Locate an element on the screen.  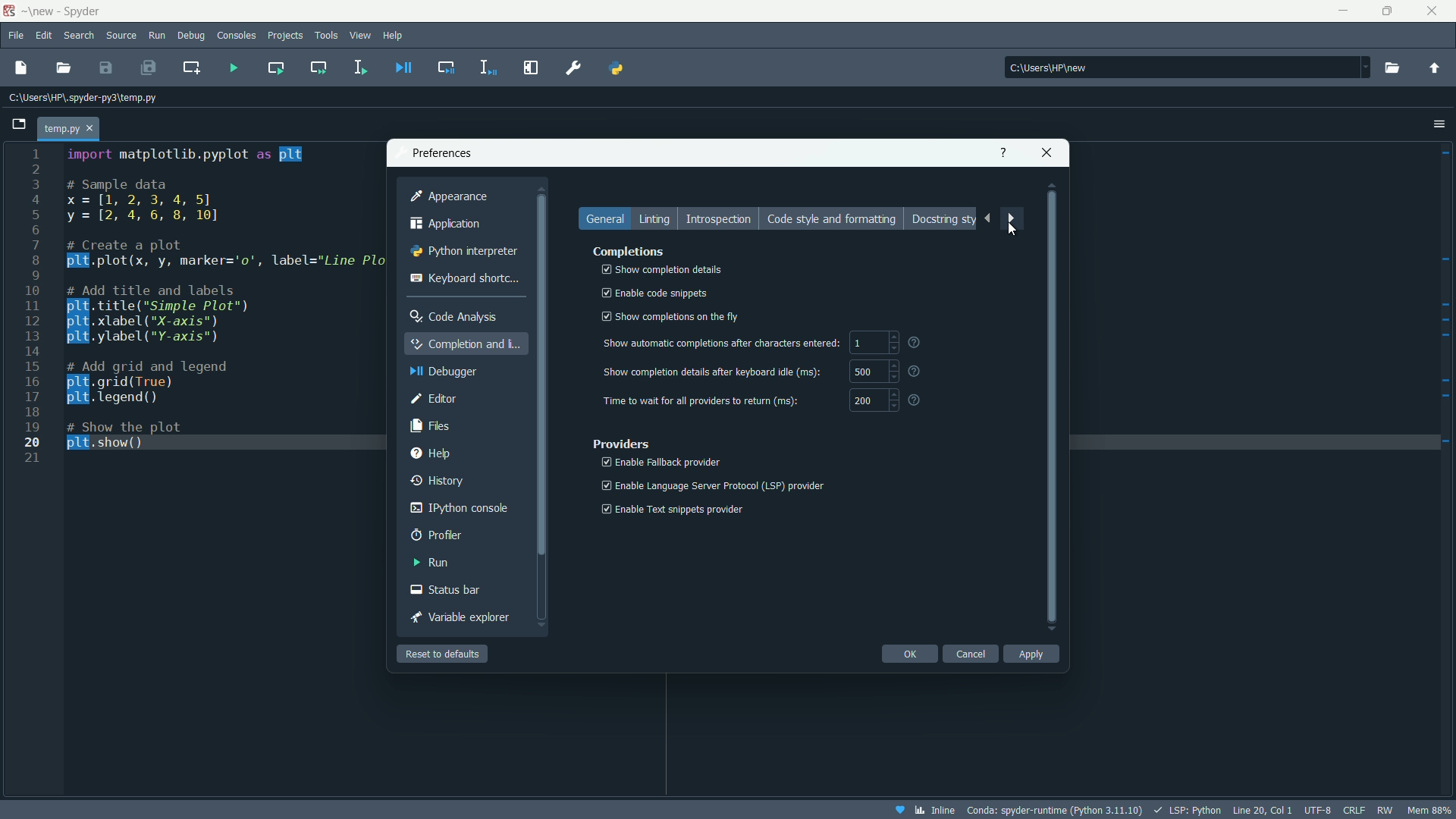
general is located at coordinates (607, 218).